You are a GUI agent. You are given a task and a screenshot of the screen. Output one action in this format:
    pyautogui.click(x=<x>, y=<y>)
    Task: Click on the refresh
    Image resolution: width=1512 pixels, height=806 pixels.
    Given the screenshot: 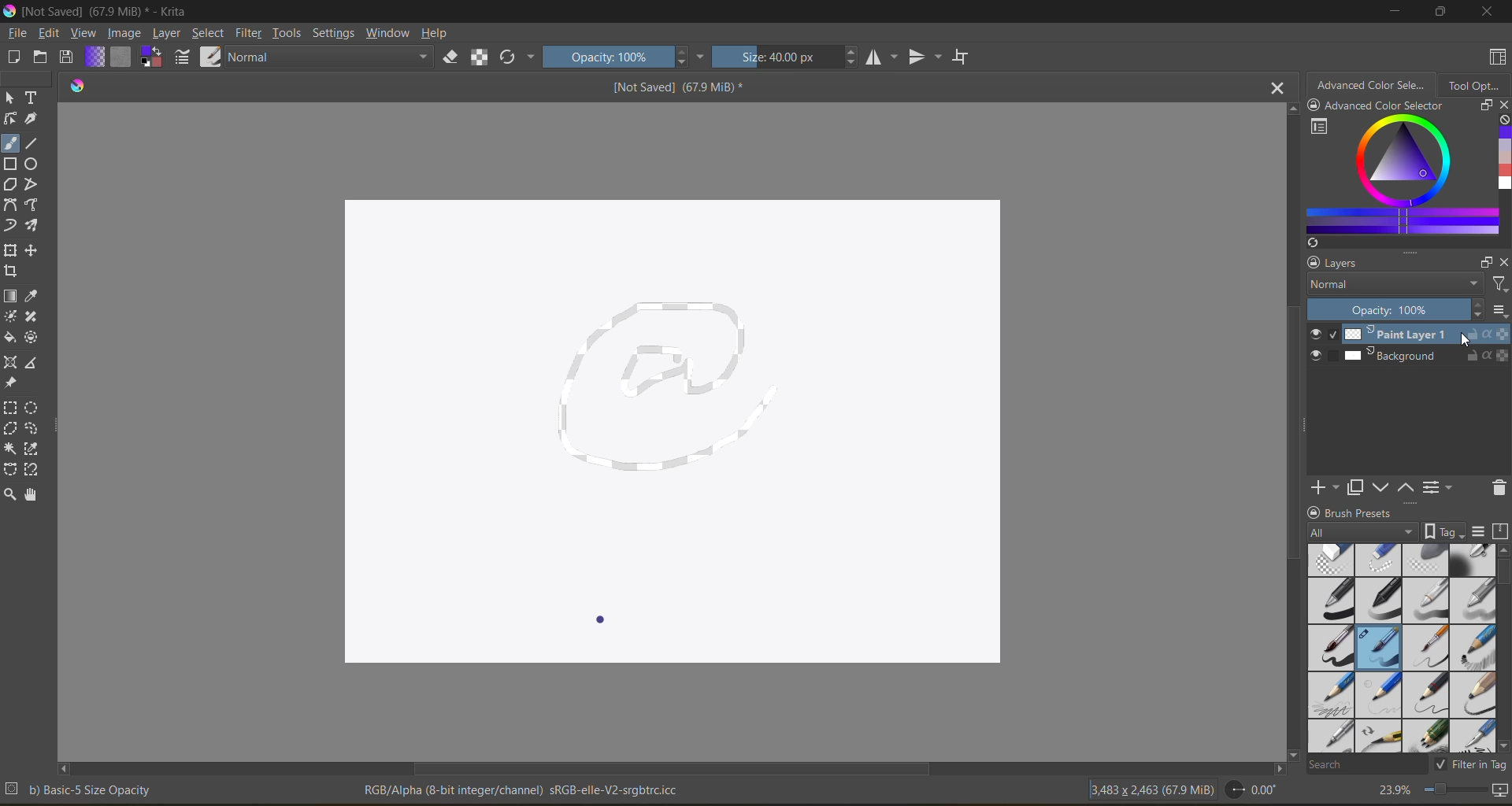 What is the action you would take?
    pyautogui.click(x=1310, y=242)
    